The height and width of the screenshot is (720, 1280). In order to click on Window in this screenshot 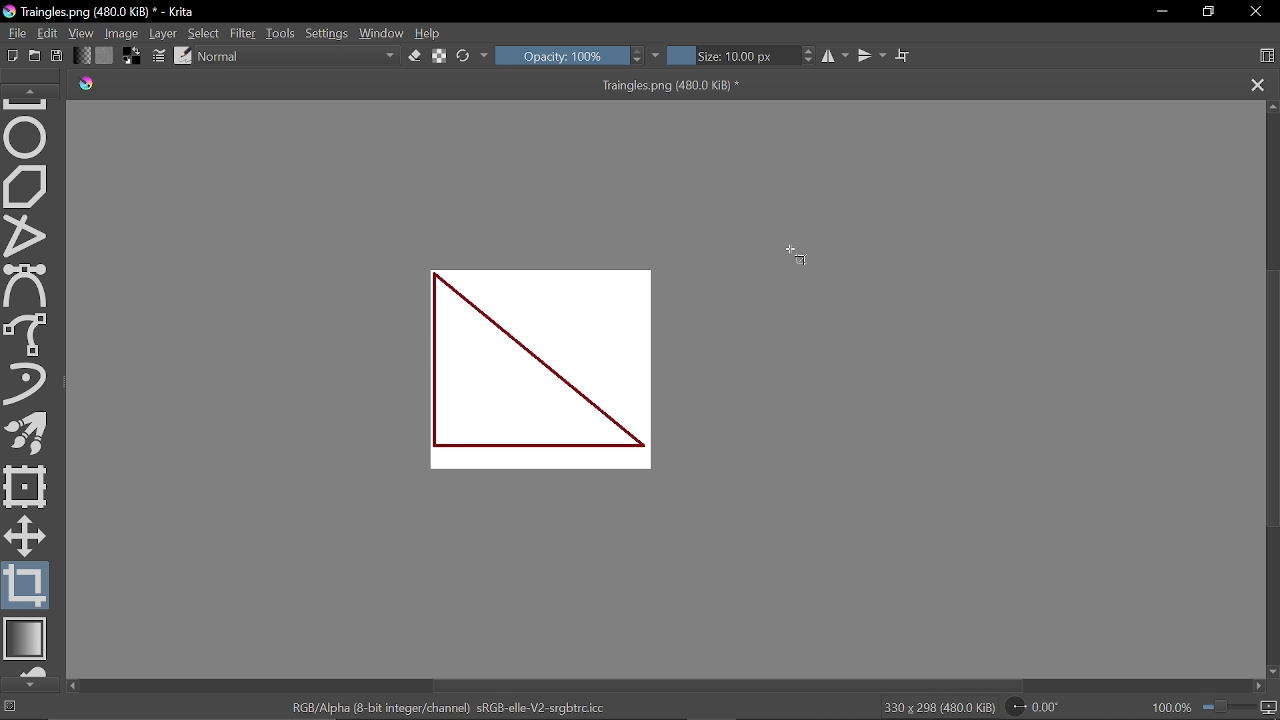, I will do `click(382, 33)`.